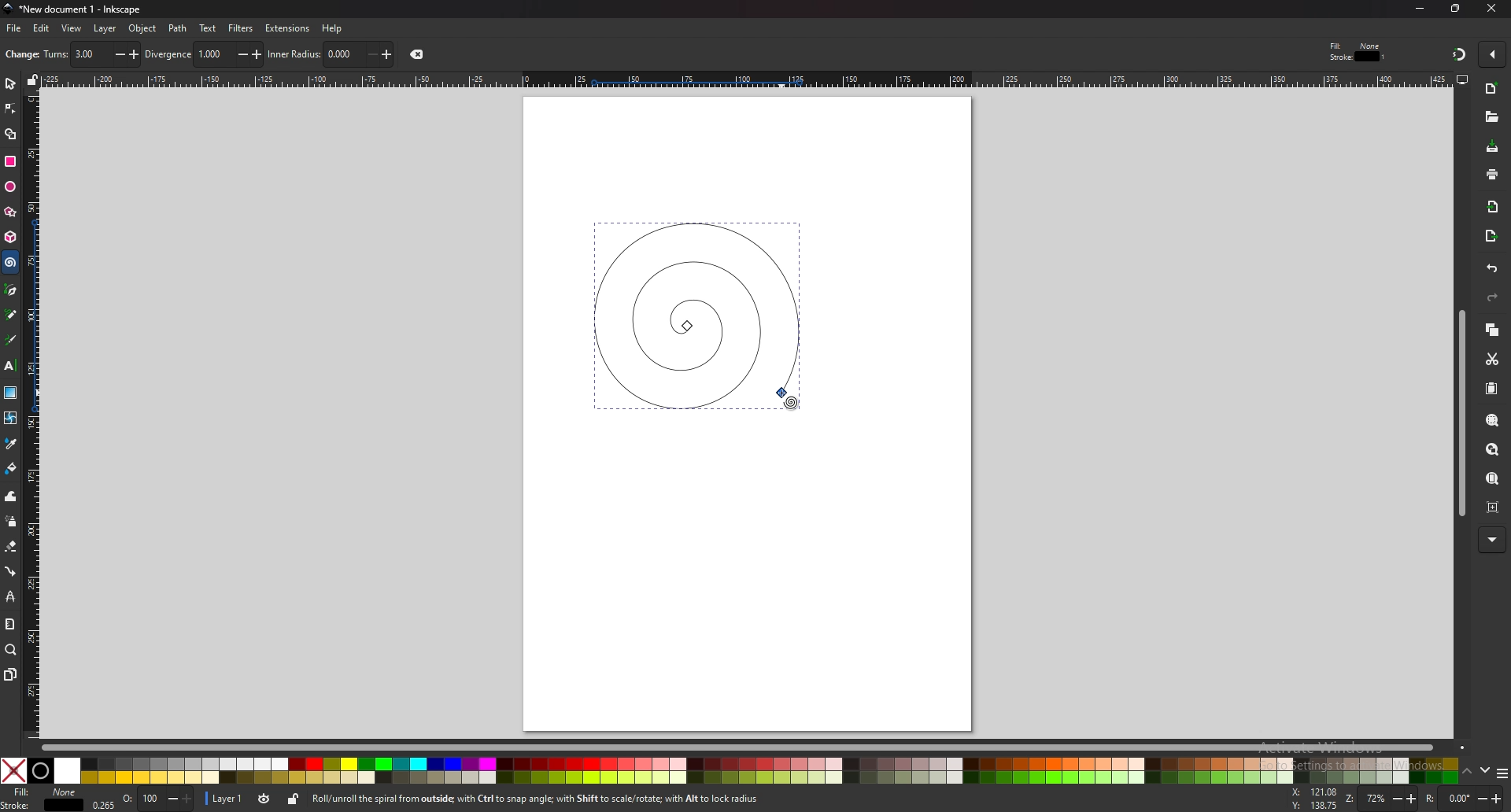 The width and height of the screenshot is (1511, 812). What do you see at coordinates (12, 161) in the screenshot?
I see `rectangle` at bounding box center [12, 161].